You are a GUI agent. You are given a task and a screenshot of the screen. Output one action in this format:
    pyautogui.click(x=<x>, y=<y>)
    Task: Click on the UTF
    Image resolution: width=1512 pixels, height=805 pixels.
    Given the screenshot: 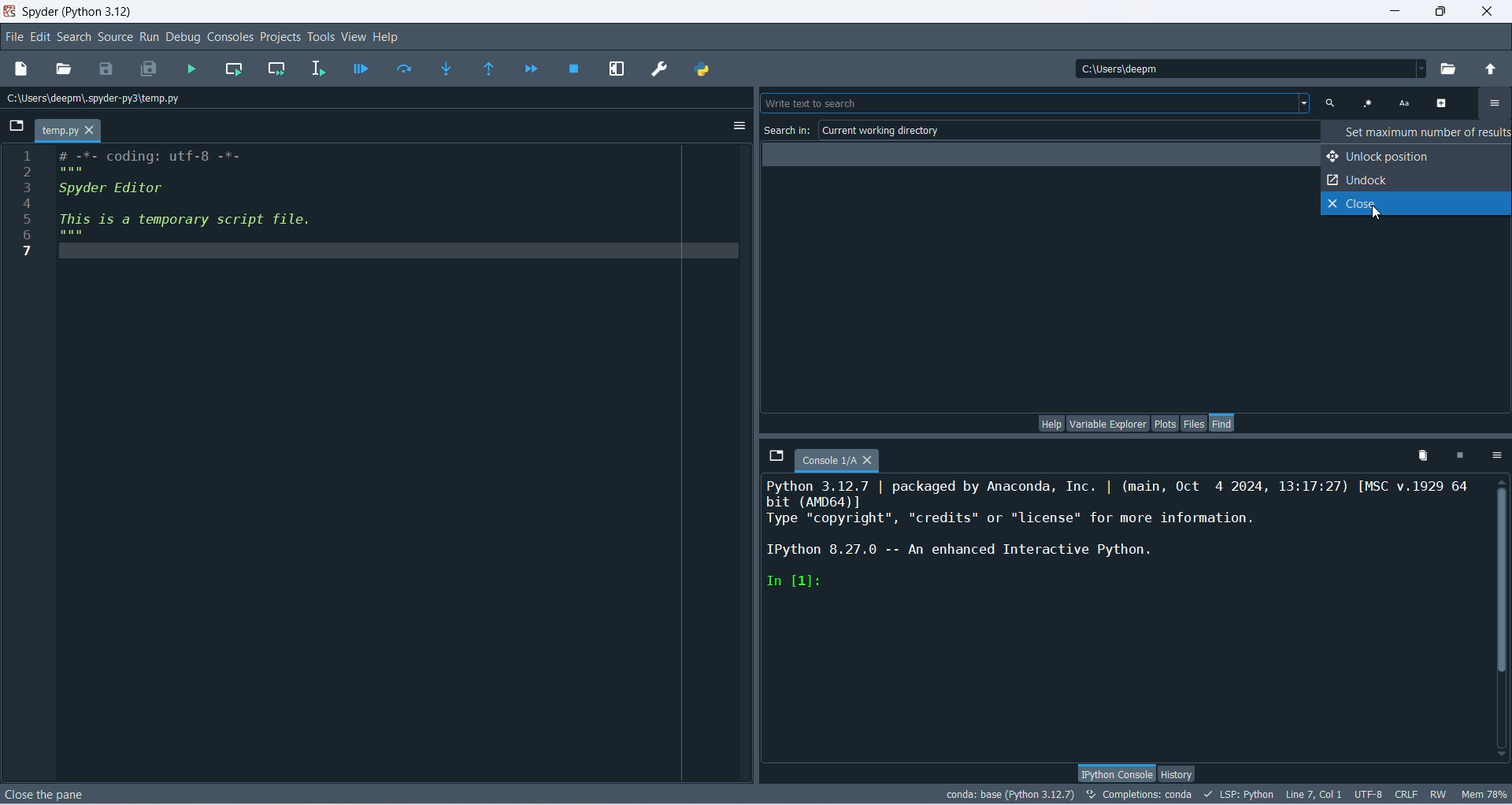 What is the action you would take?
    pyautogui.click(x=1369, y=793)
    